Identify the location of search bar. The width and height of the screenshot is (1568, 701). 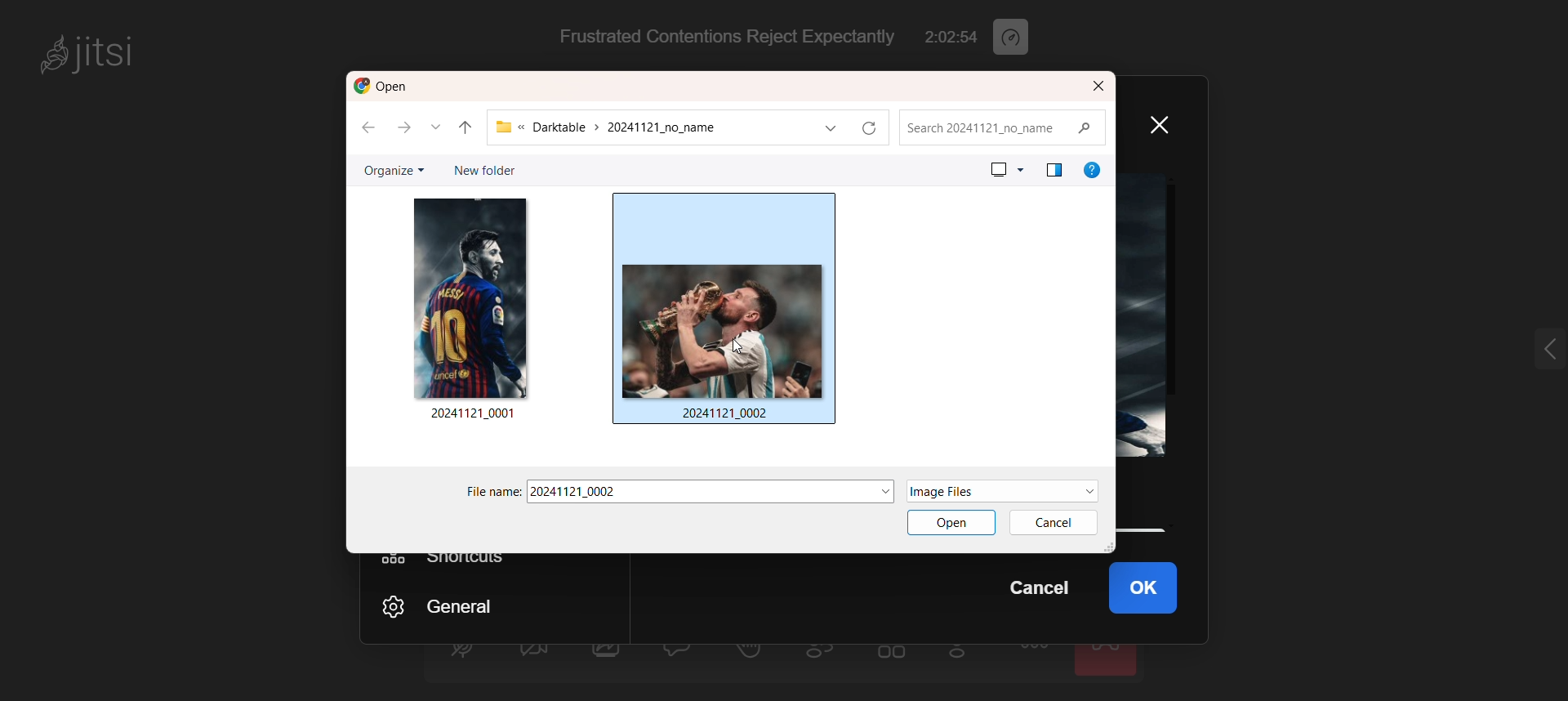
(1006, 127).